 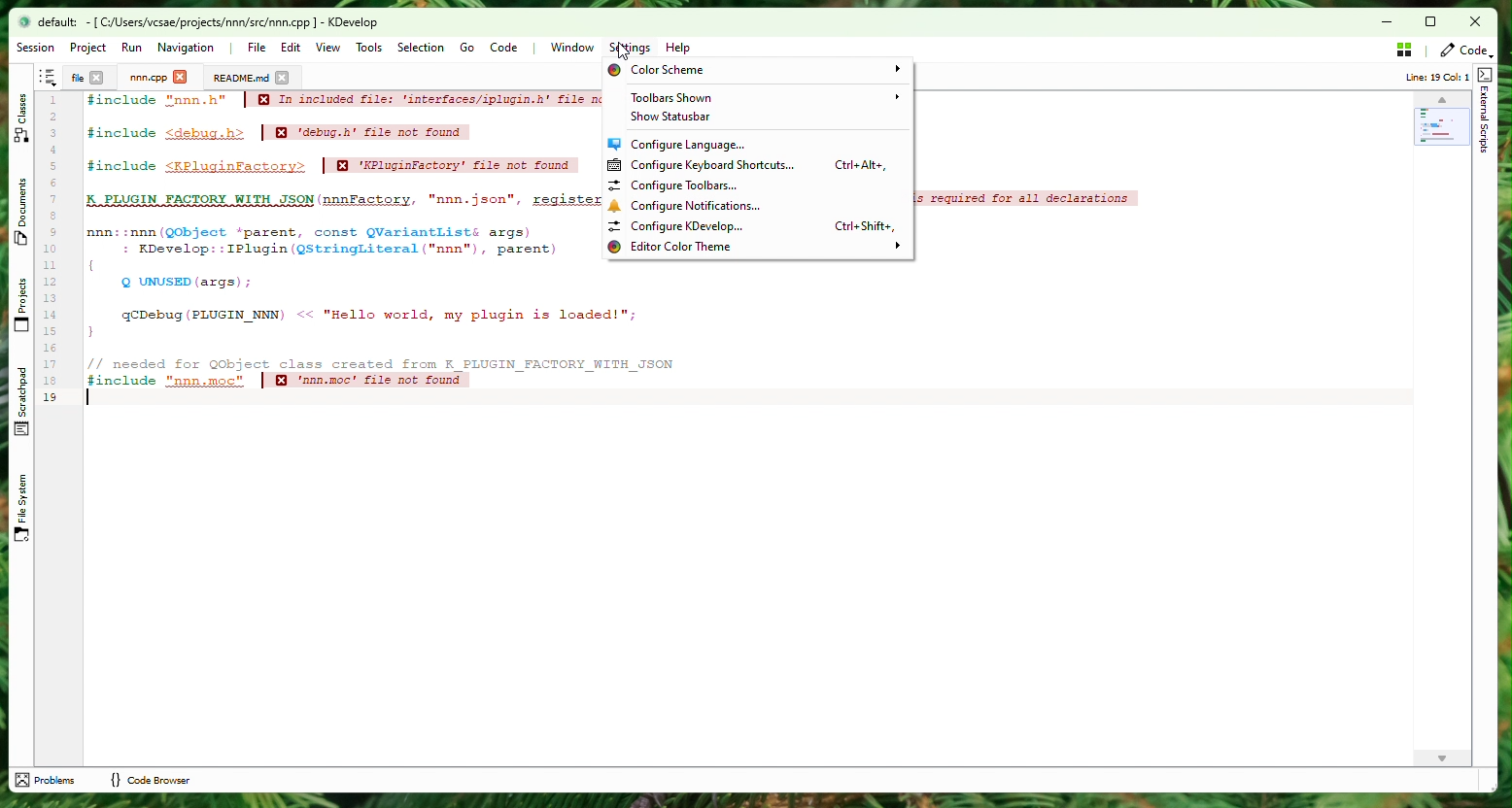 What do you see at coordinates (678, 49) in the screenshot?
I see `Help` at bounding box center [678, 49].